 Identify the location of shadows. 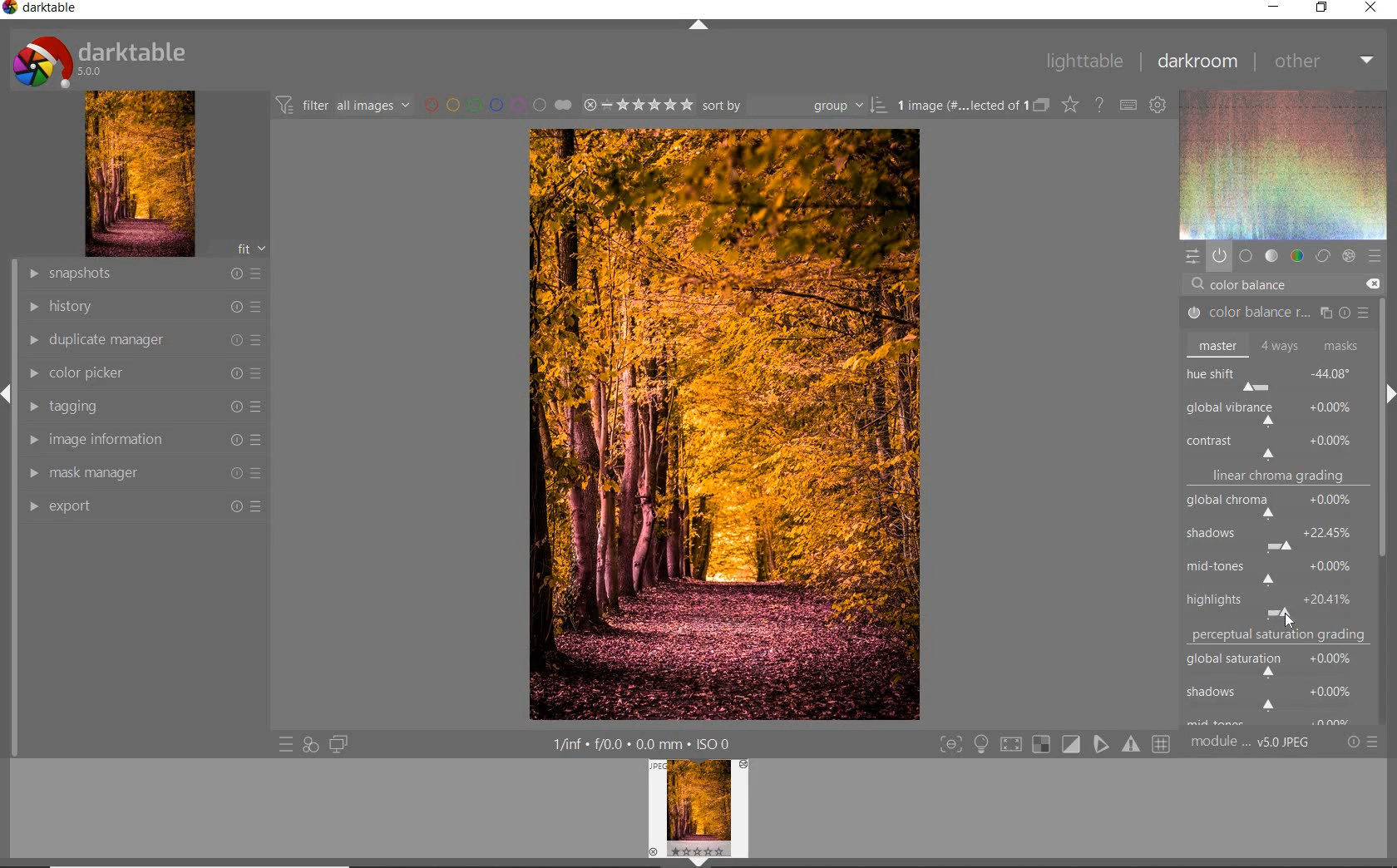
(1276, 696).